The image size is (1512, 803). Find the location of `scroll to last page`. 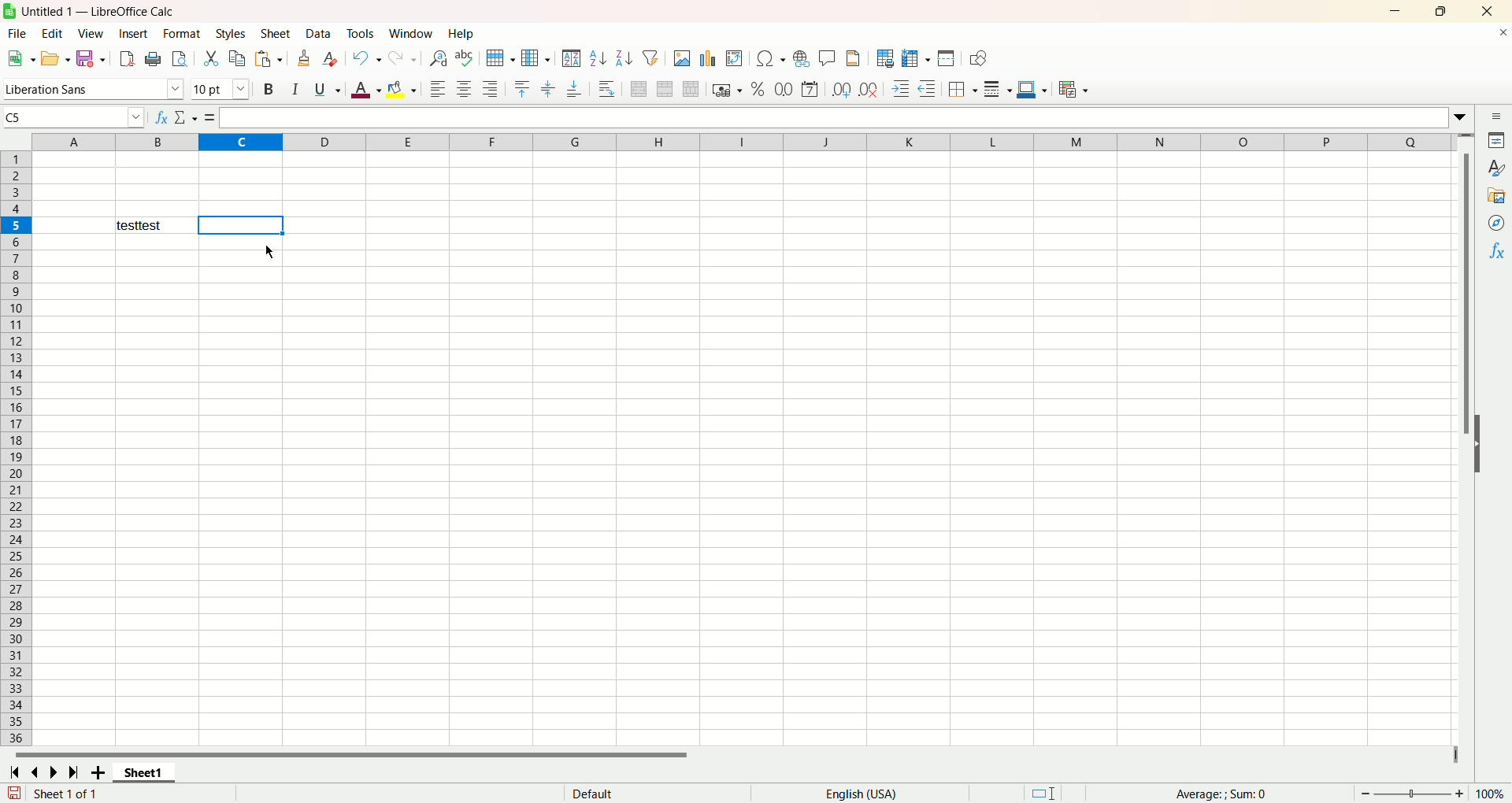

scroll to last page is located at coordinates (74, 772).